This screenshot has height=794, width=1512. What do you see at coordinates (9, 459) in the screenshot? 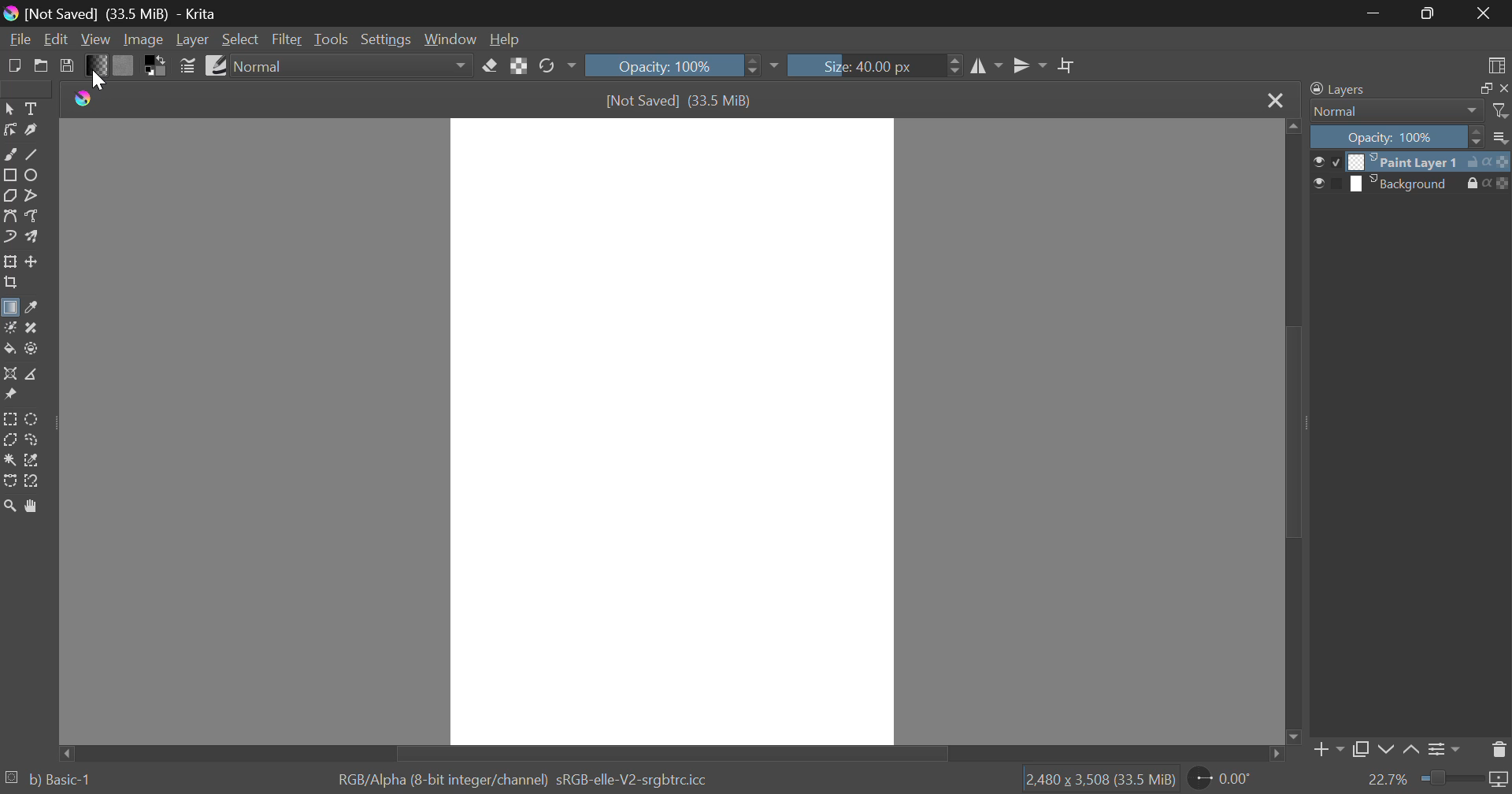
I see `Continuous Selection` at bounding box center [9, 459].